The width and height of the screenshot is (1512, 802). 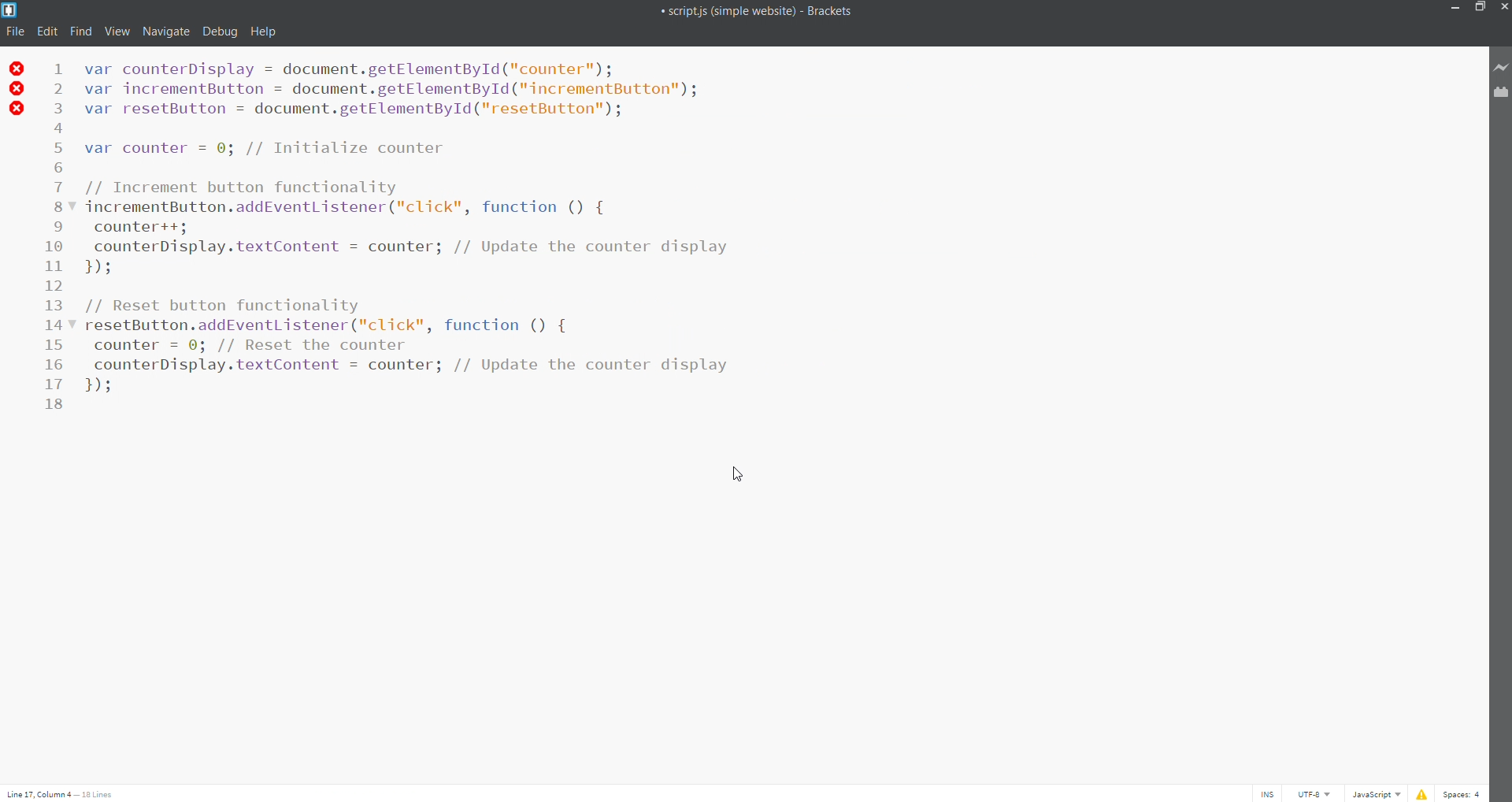 I want to click on edit, so click(x=46, y=32).